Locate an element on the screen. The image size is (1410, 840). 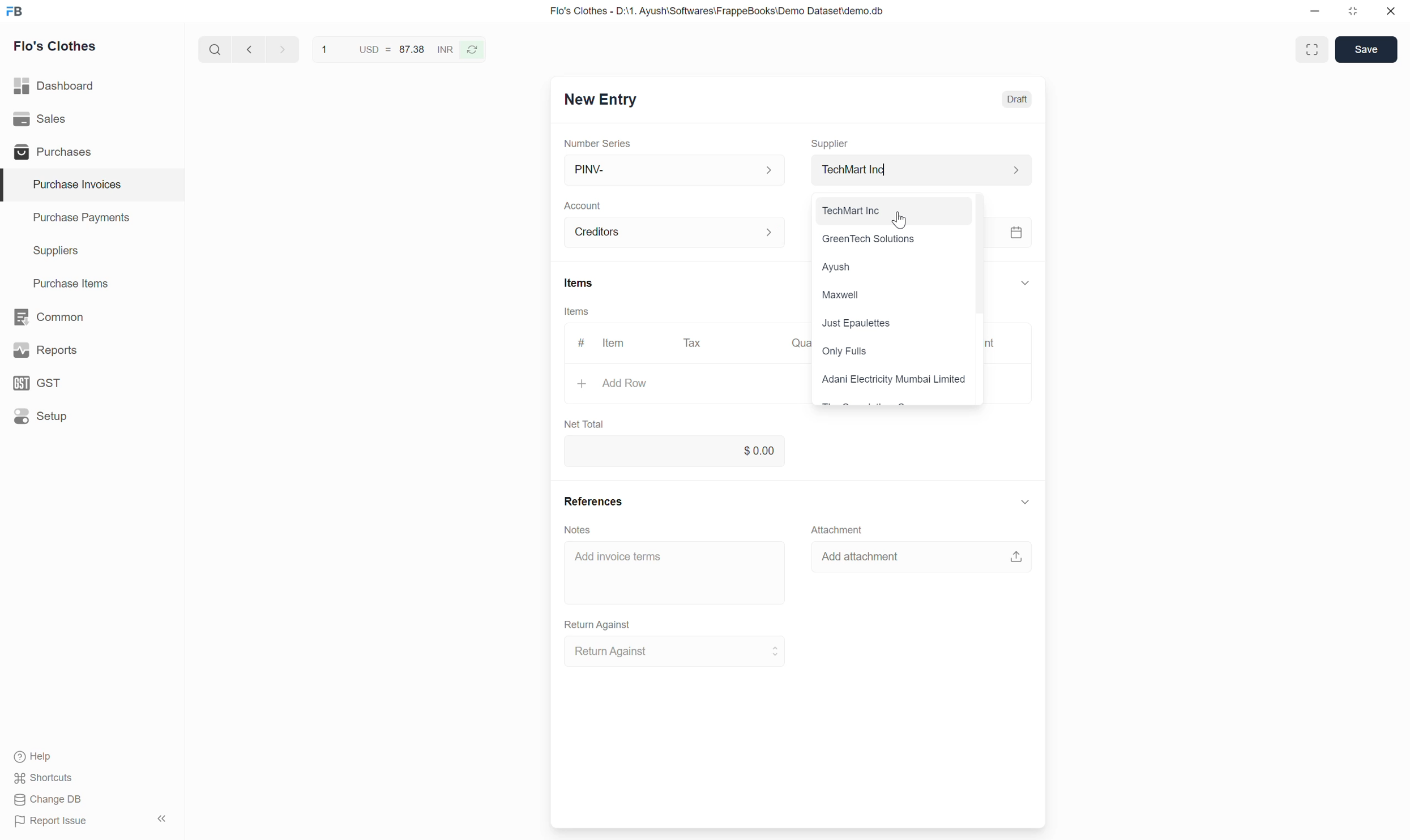
Save is located at coordinates (1365, 49).